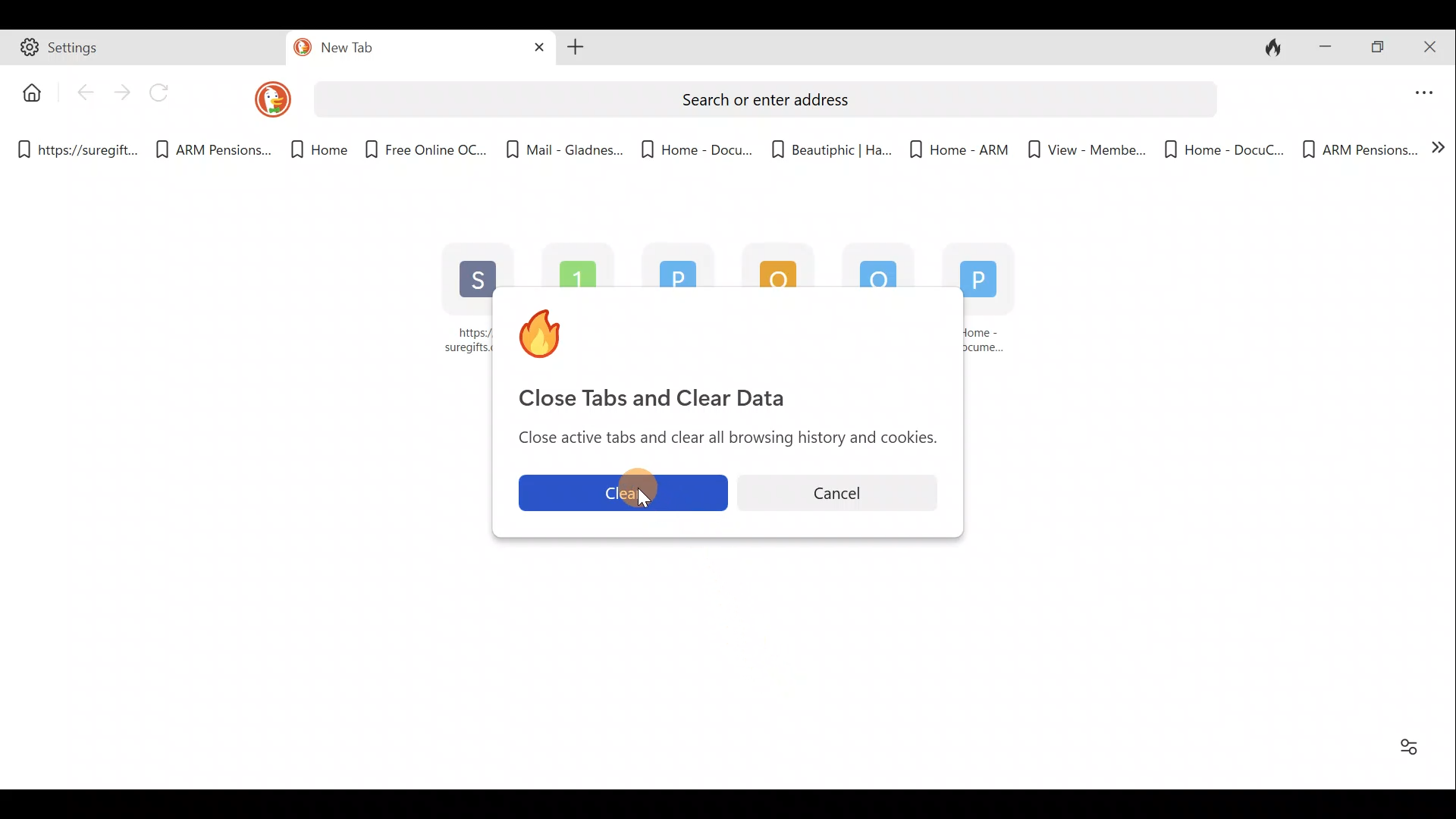 Image resolution: width=1456 pixels, height=819 pixels. What do you see at coordinates (388, 50) in the screenshot?
I see `New tab` at bounding box center [388, 50].